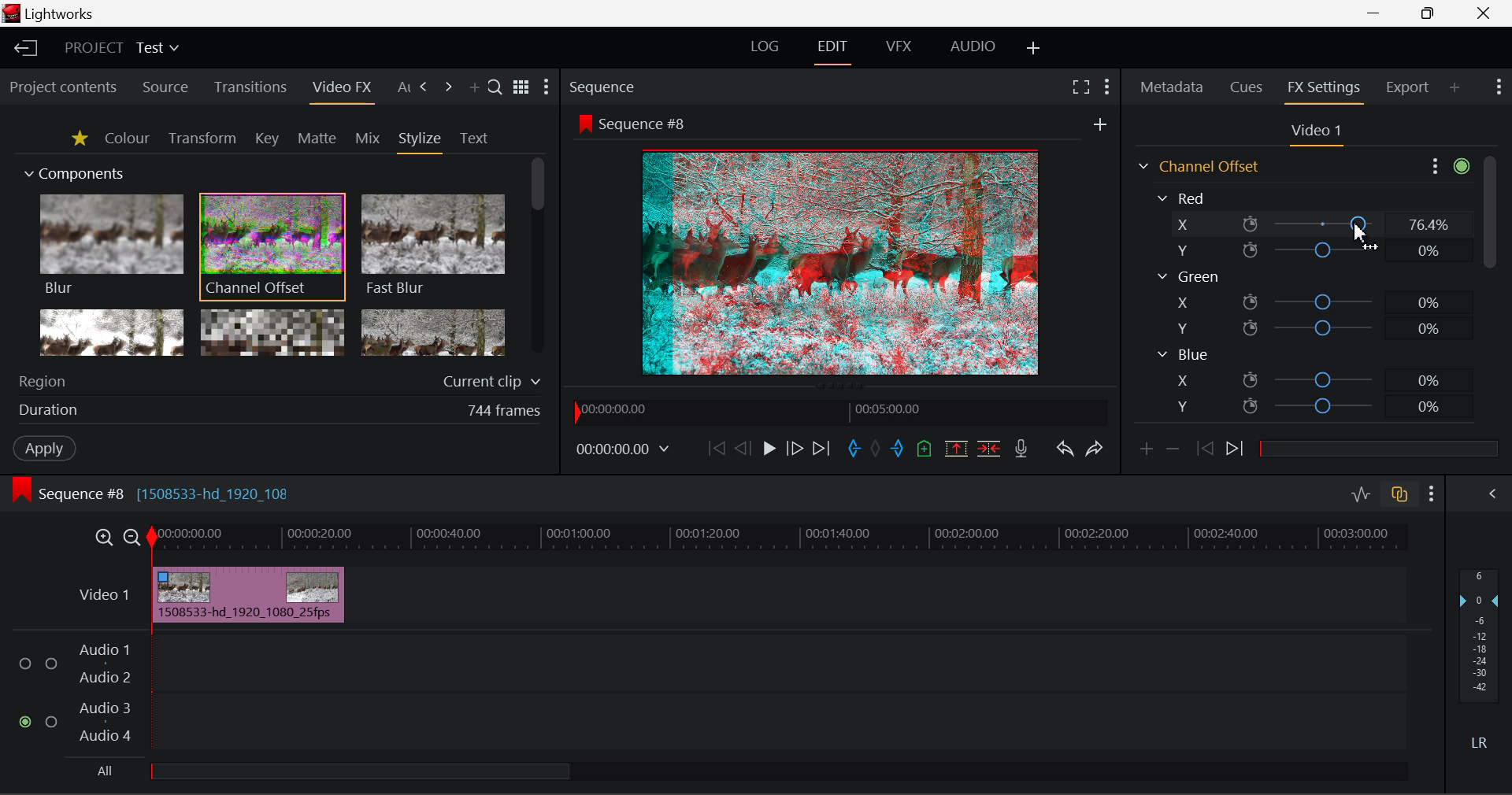  I want to click on Mix, so click(369, 139).